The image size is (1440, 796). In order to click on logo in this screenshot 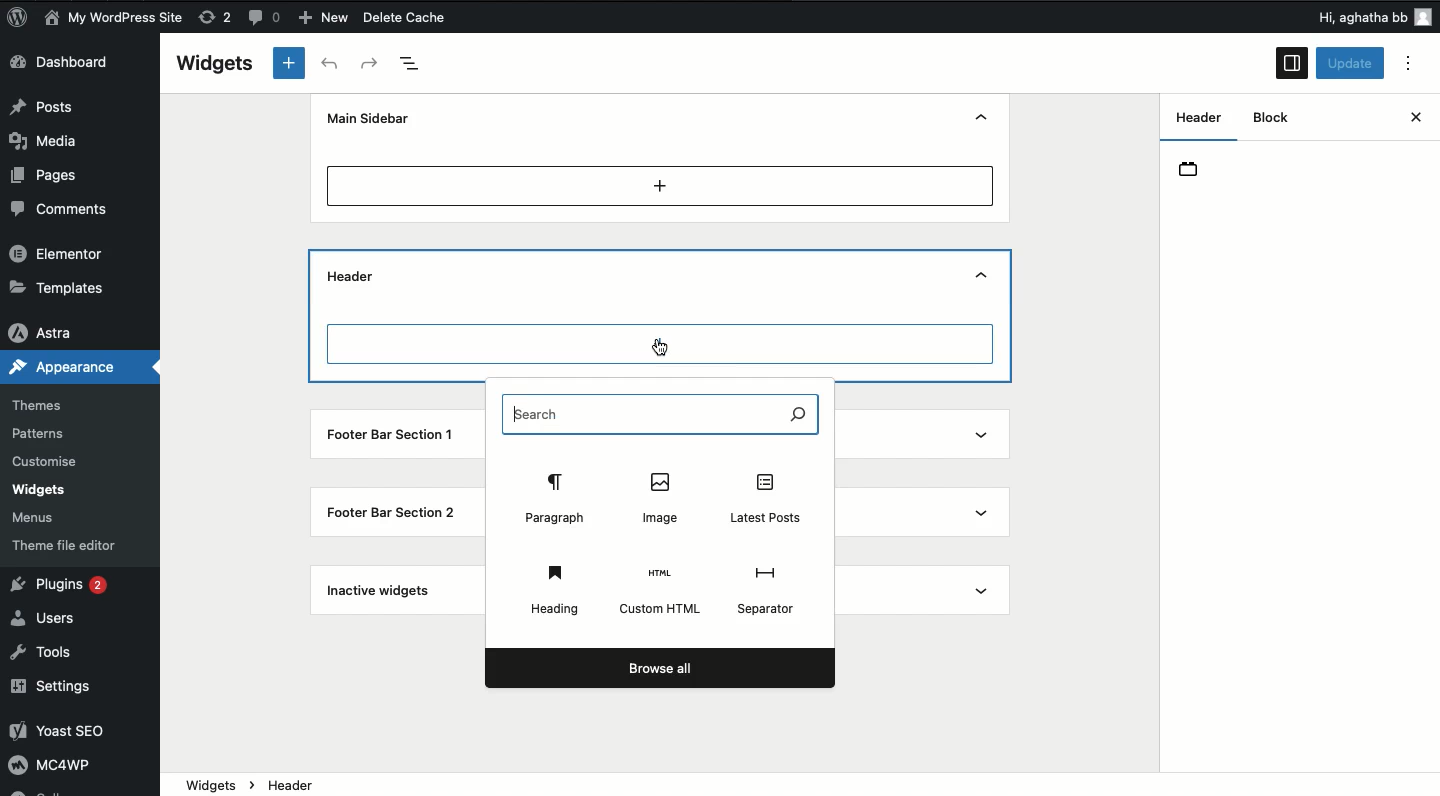, I will do `click(24, 20)`.